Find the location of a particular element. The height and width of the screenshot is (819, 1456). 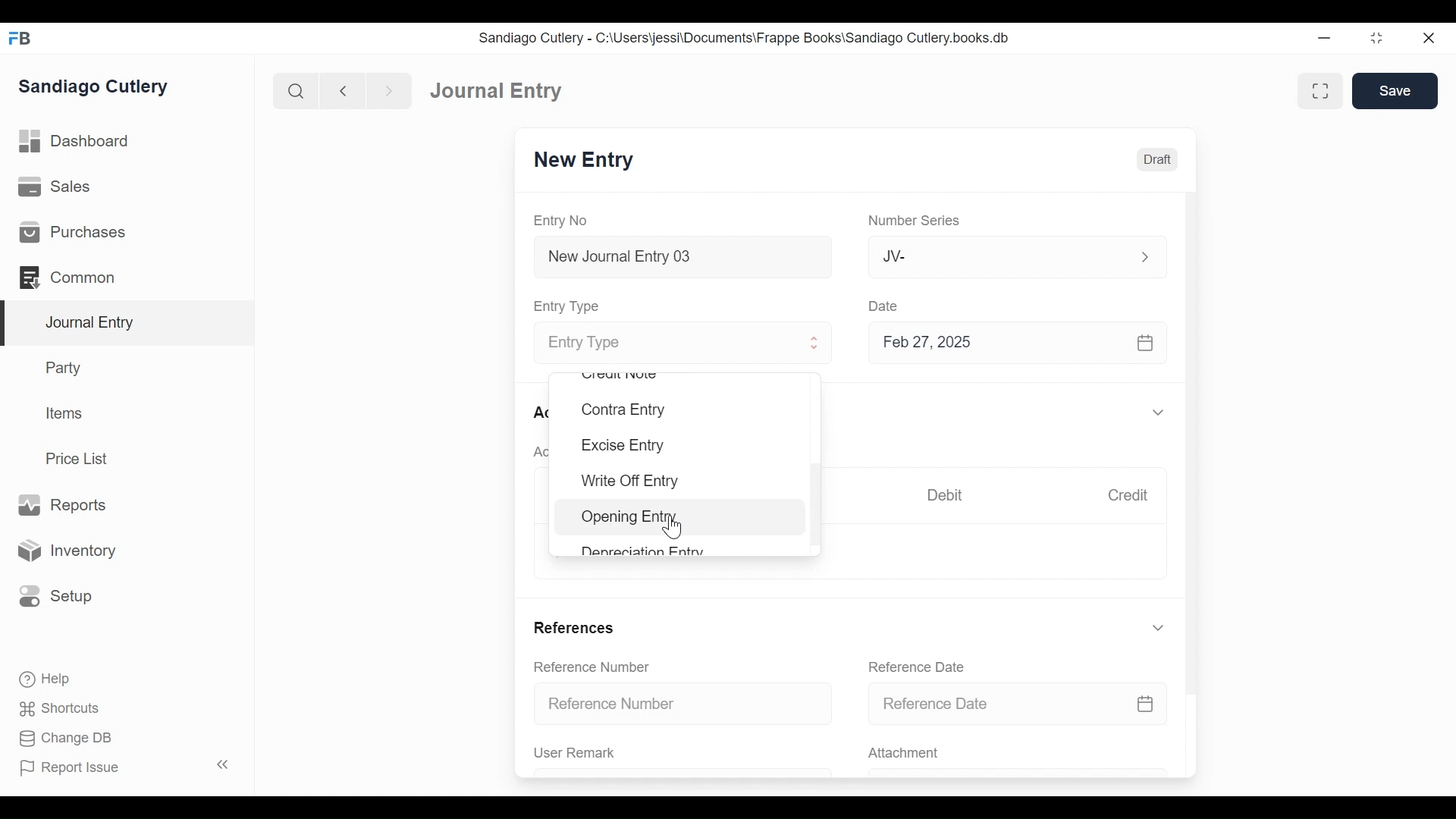

Expand is located at coordinates (816, 344).